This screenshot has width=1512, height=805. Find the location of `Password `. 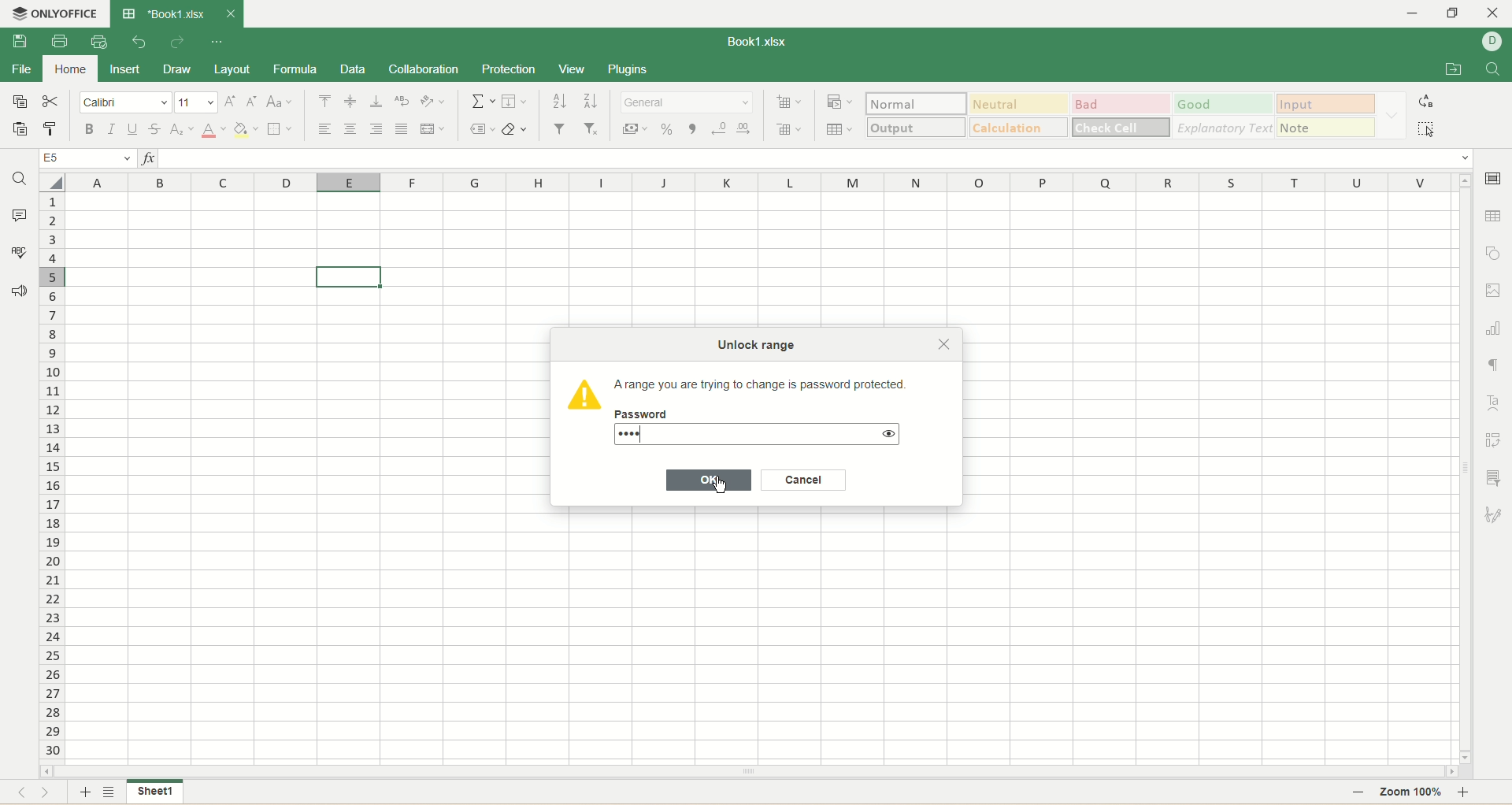

Password  is located at coordinates (647, 414).